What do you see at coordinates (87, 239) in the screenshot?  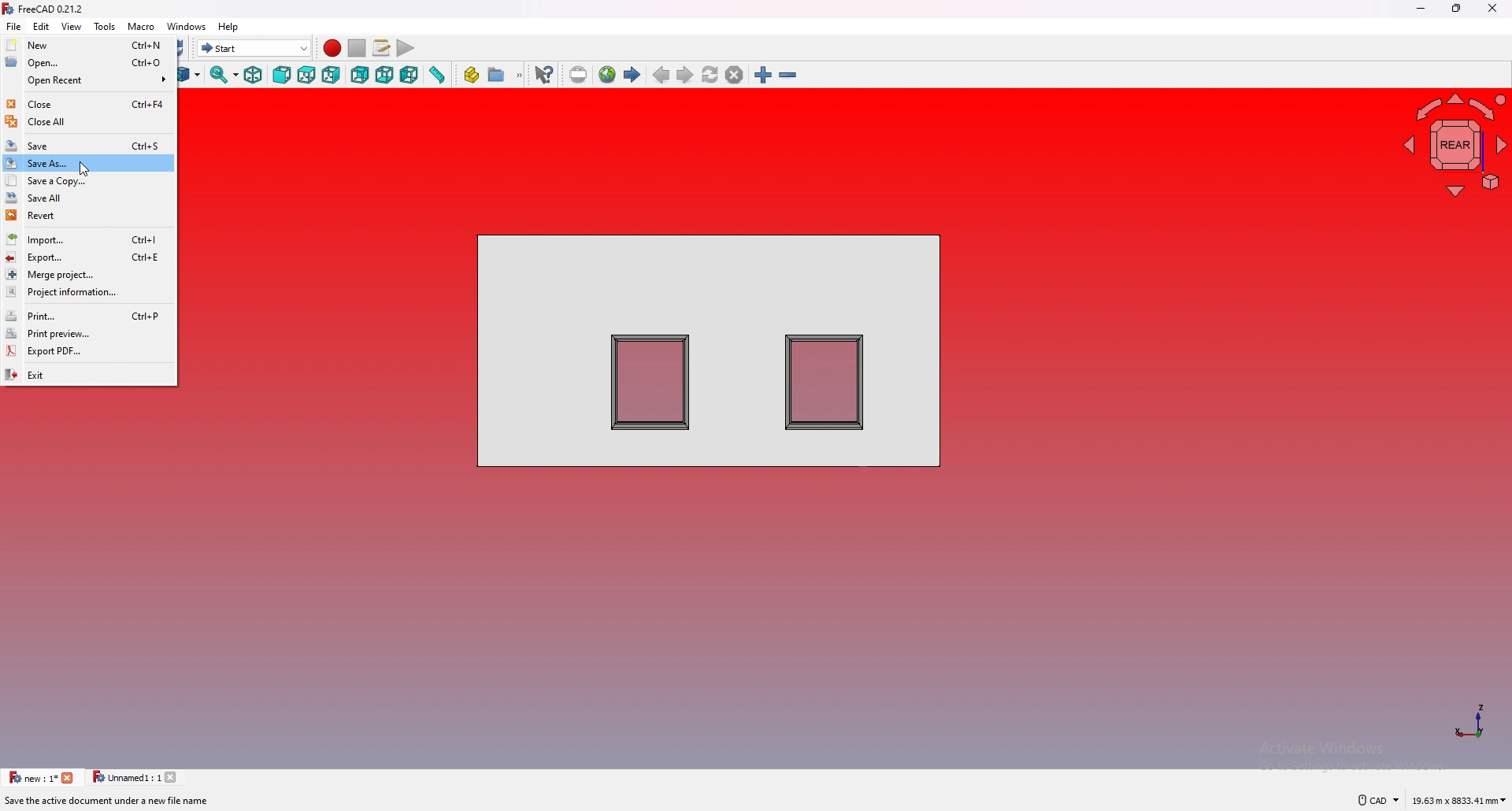 I see `import` at bounding box center [87, 239].